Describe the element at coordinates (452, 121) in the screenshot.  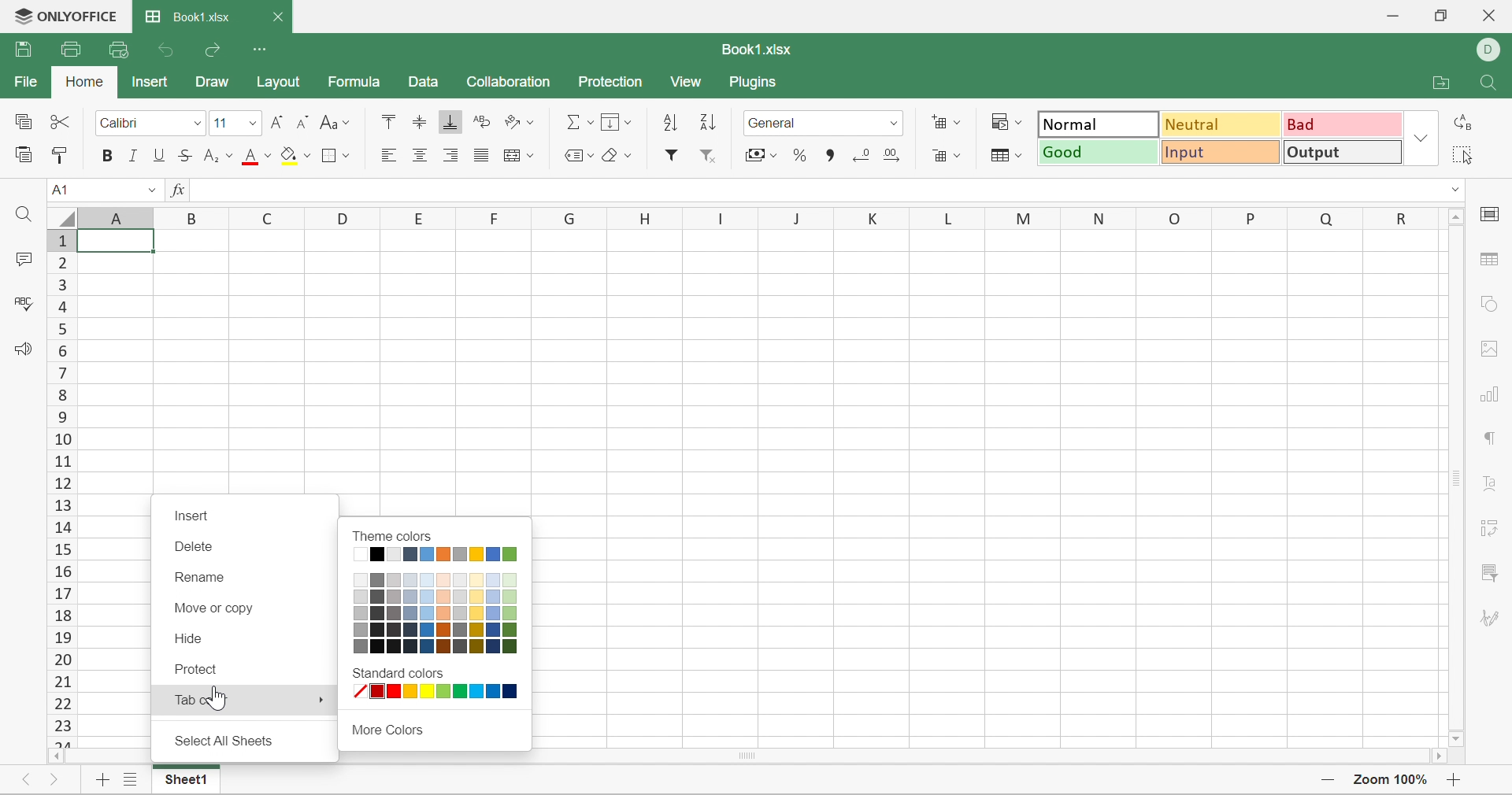
I see `Align Bottom` at that location.